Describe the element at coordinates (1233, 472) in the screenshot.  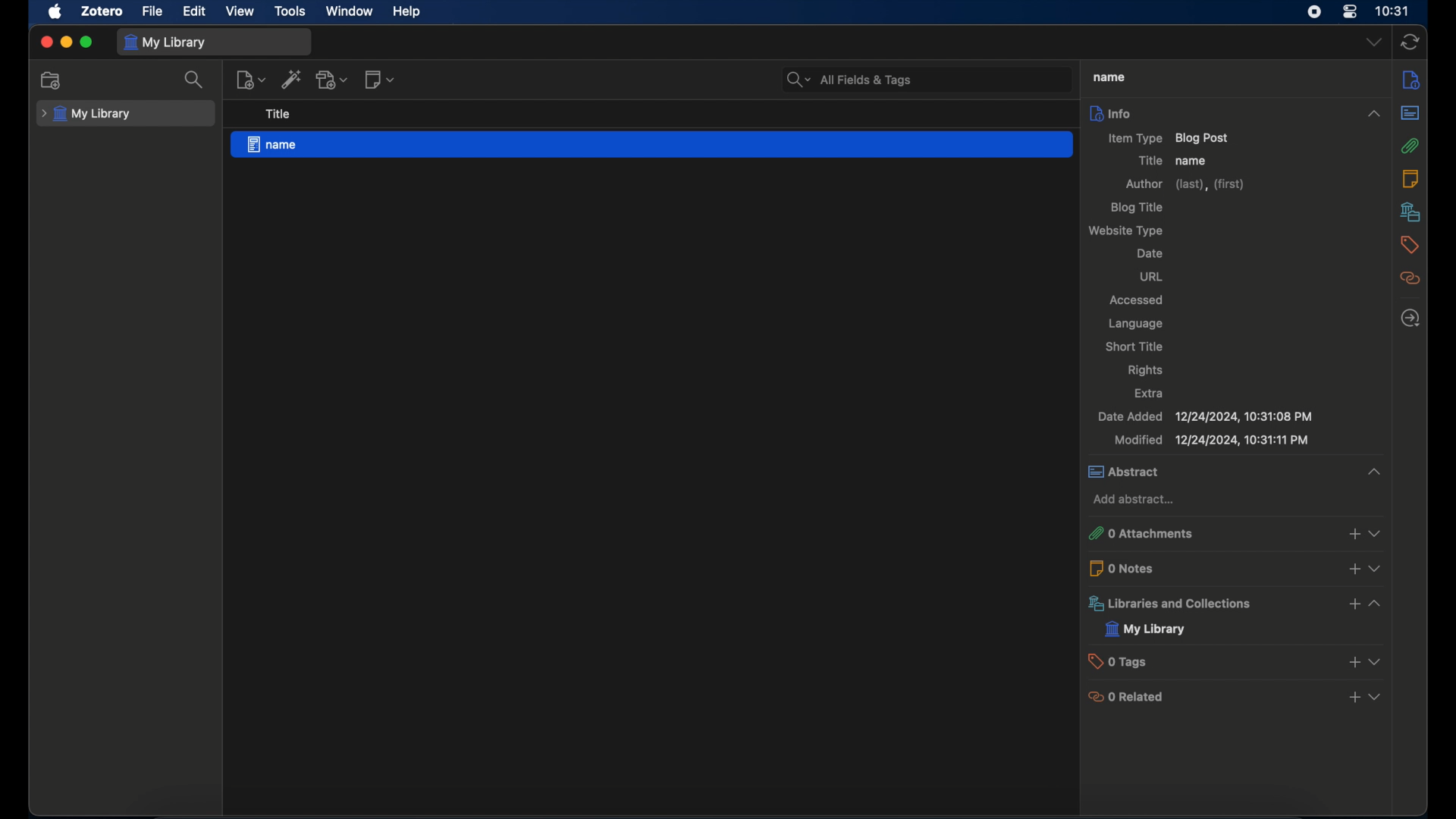
I see `abstract` at that location.